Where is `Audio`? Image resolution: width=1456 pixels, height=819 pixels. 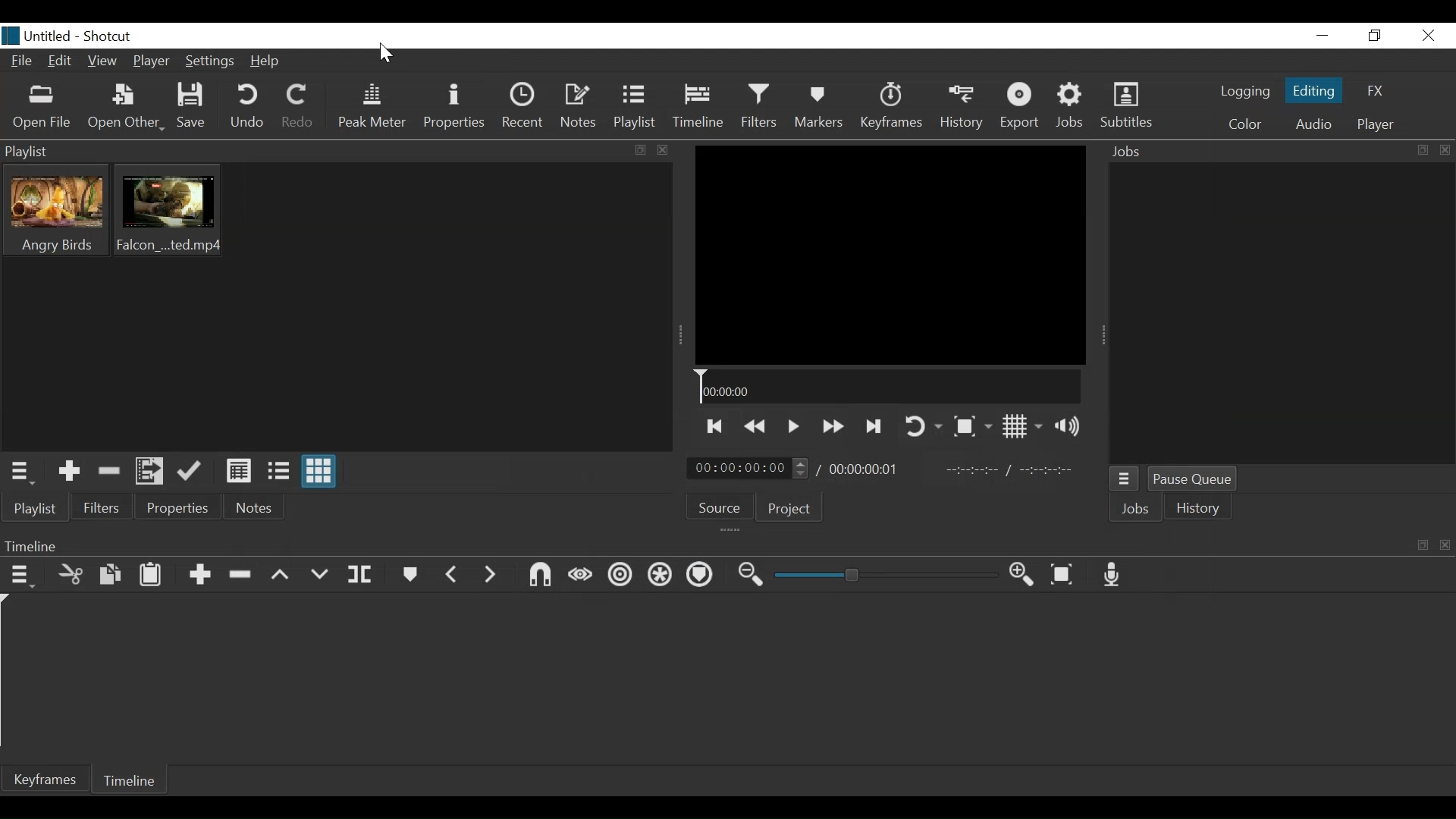
Audio is located at coordinates (1313, 124).